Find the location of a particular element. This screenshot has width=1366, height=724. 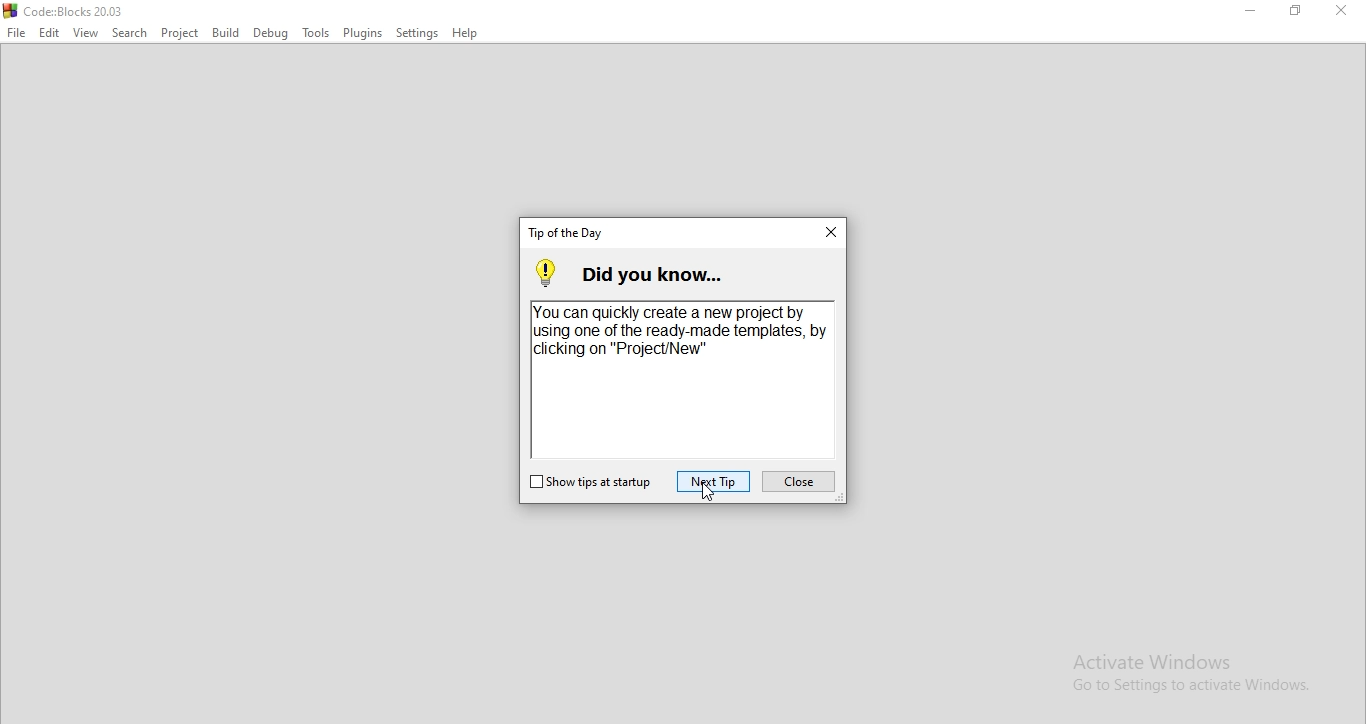

Plugins  is located at coordinates (363, 30).